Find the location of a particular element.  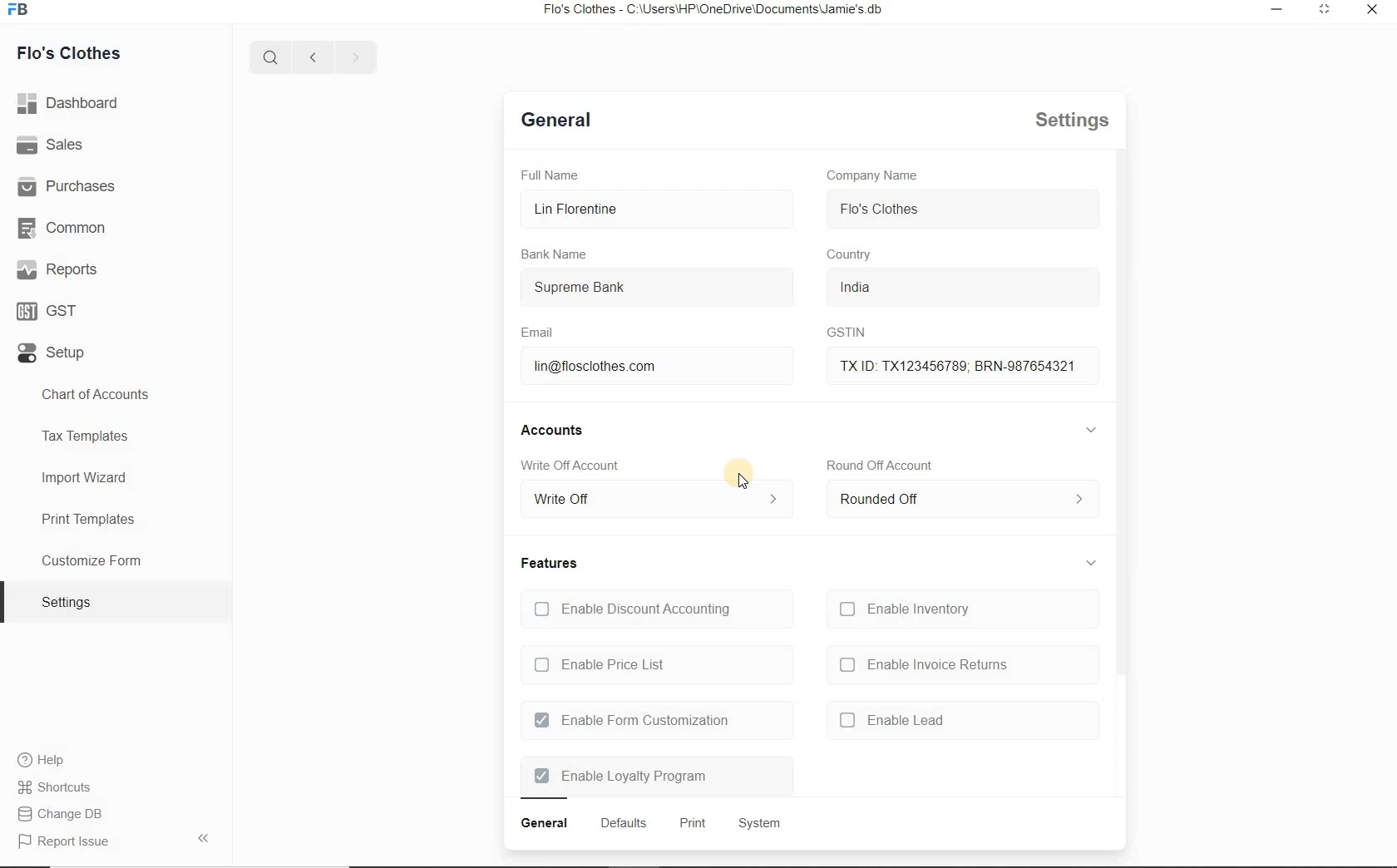

Print Templates is located at coordinates (116, 518).